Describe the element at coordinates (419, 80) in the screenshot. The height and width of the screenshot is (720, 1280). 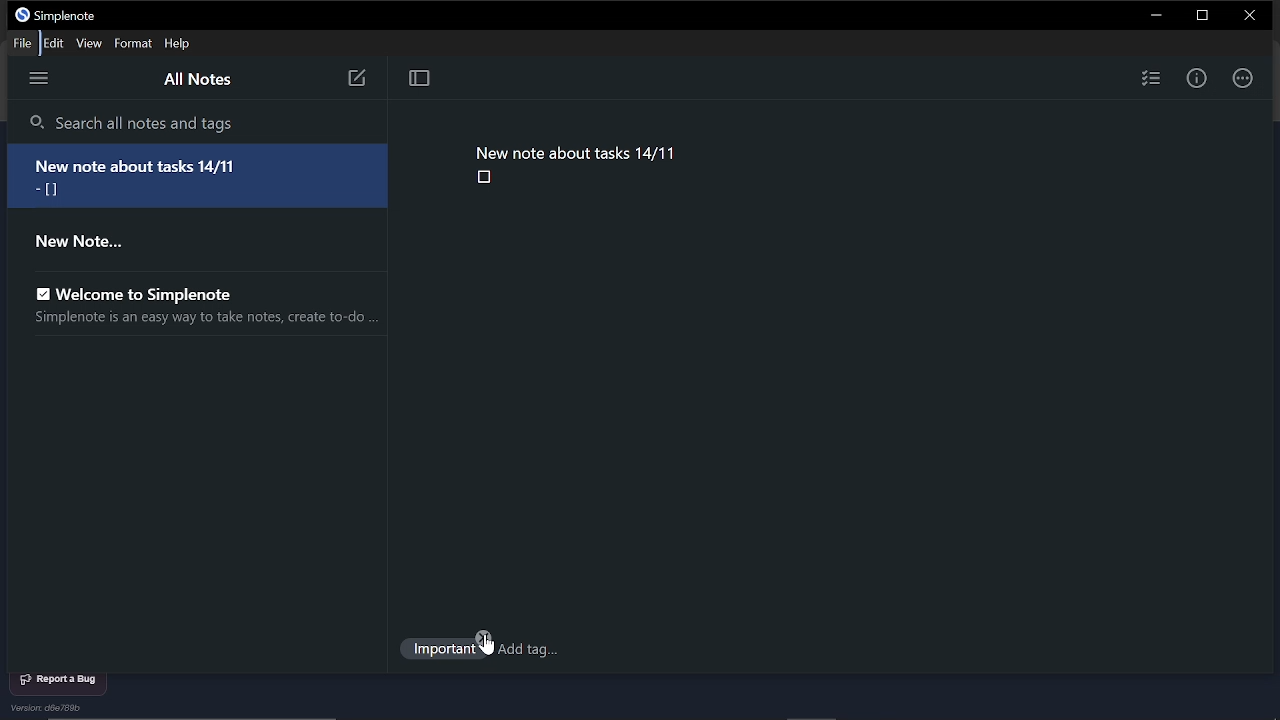
I see `Toggle focus mode` at that location.